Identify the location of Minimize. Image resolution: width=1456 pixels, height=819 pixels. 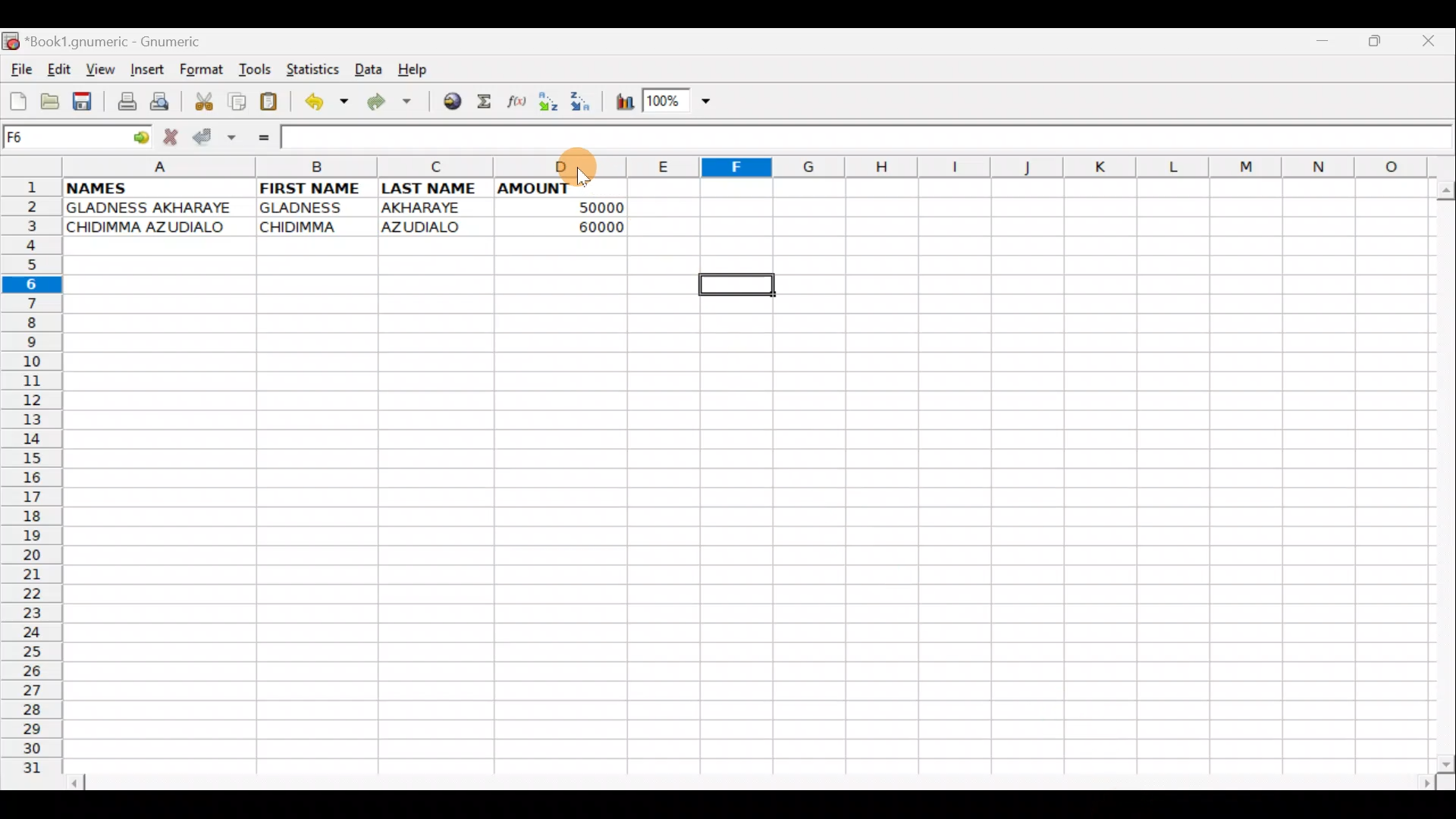
(1327, 44).